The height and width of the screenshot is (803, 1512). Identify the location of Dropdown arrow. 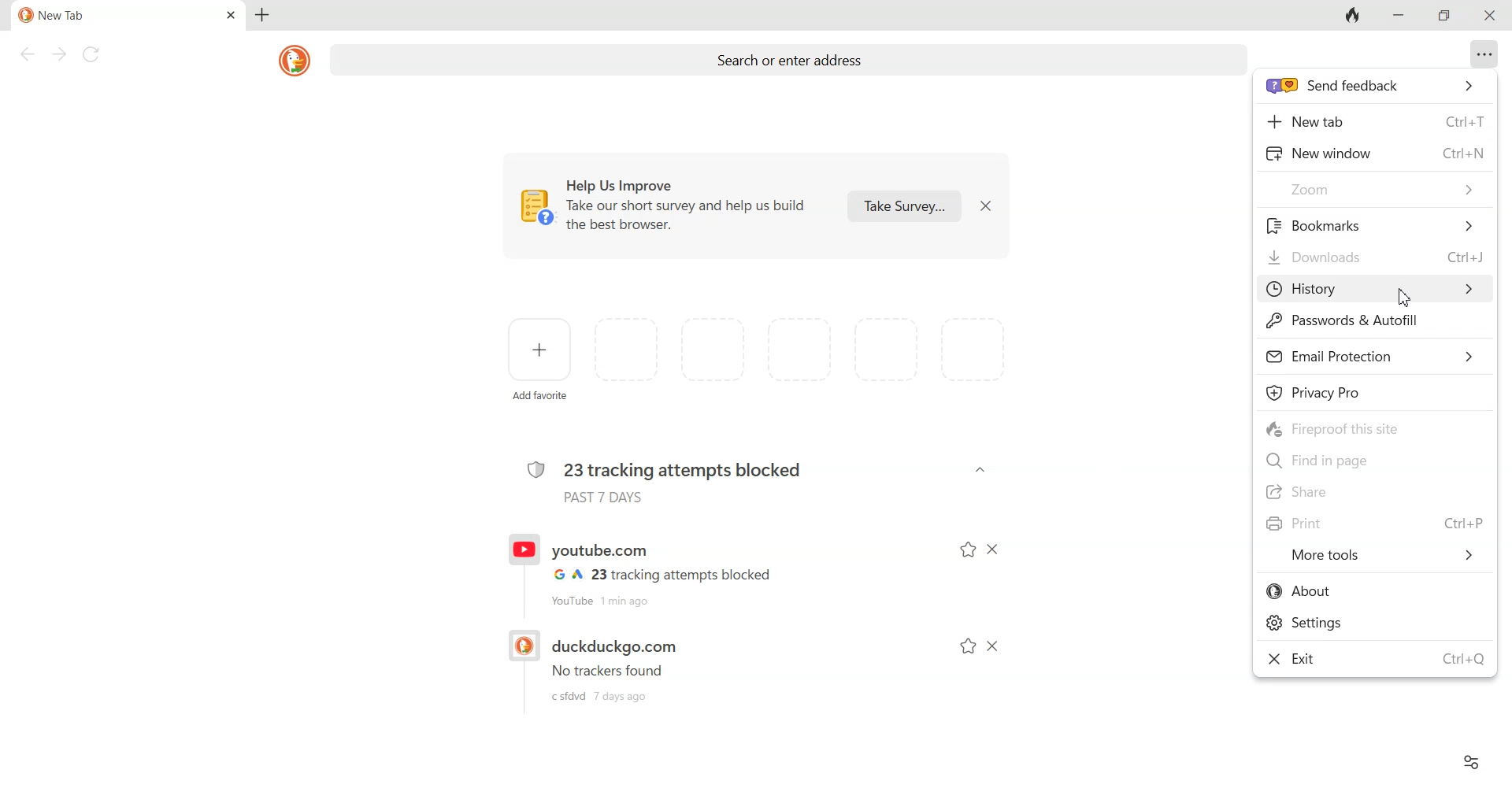
(980, 470).